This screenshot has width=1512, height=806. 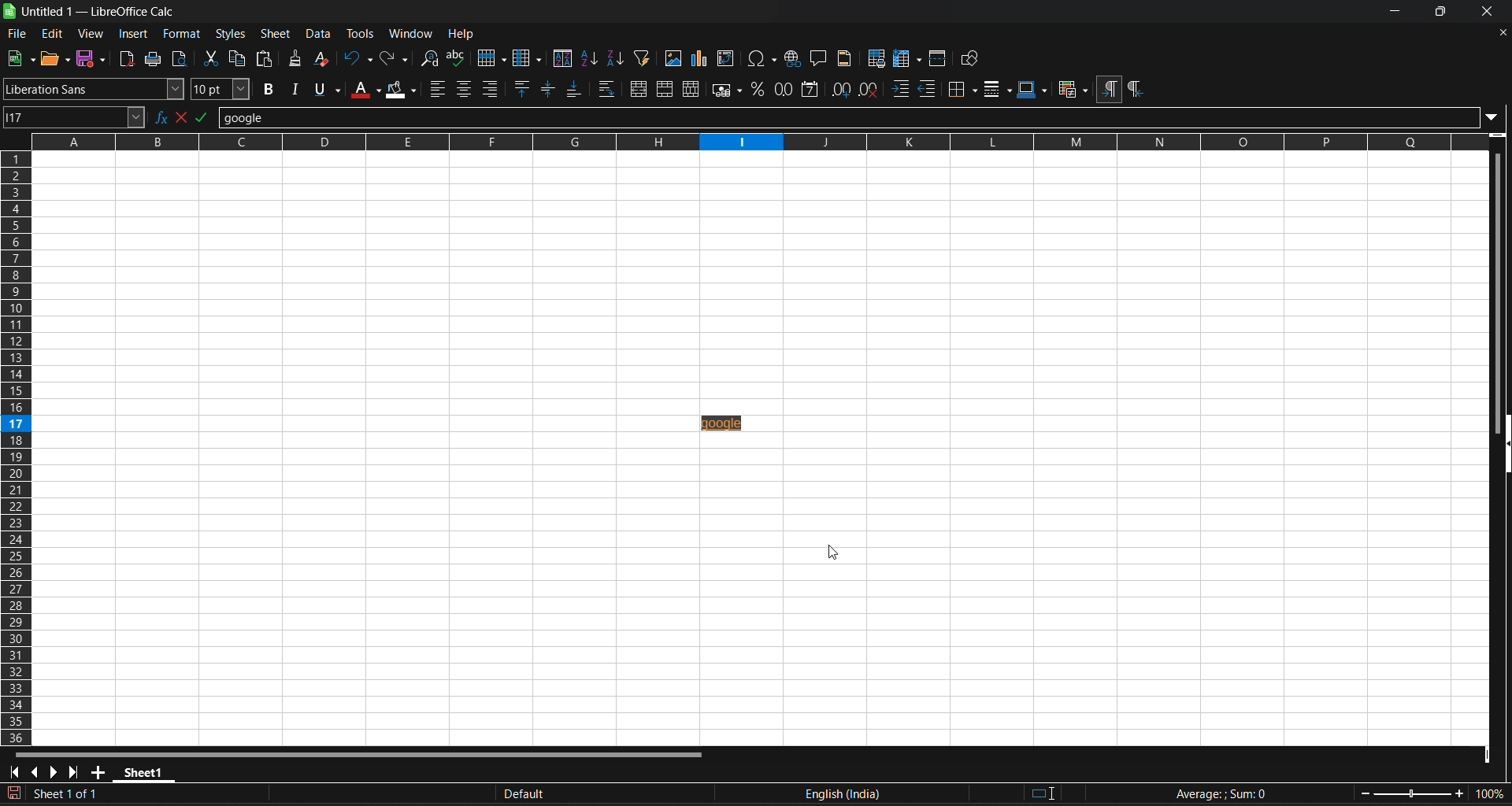 I want to click on insert or edit pivot table, so click(x=728, y=58).